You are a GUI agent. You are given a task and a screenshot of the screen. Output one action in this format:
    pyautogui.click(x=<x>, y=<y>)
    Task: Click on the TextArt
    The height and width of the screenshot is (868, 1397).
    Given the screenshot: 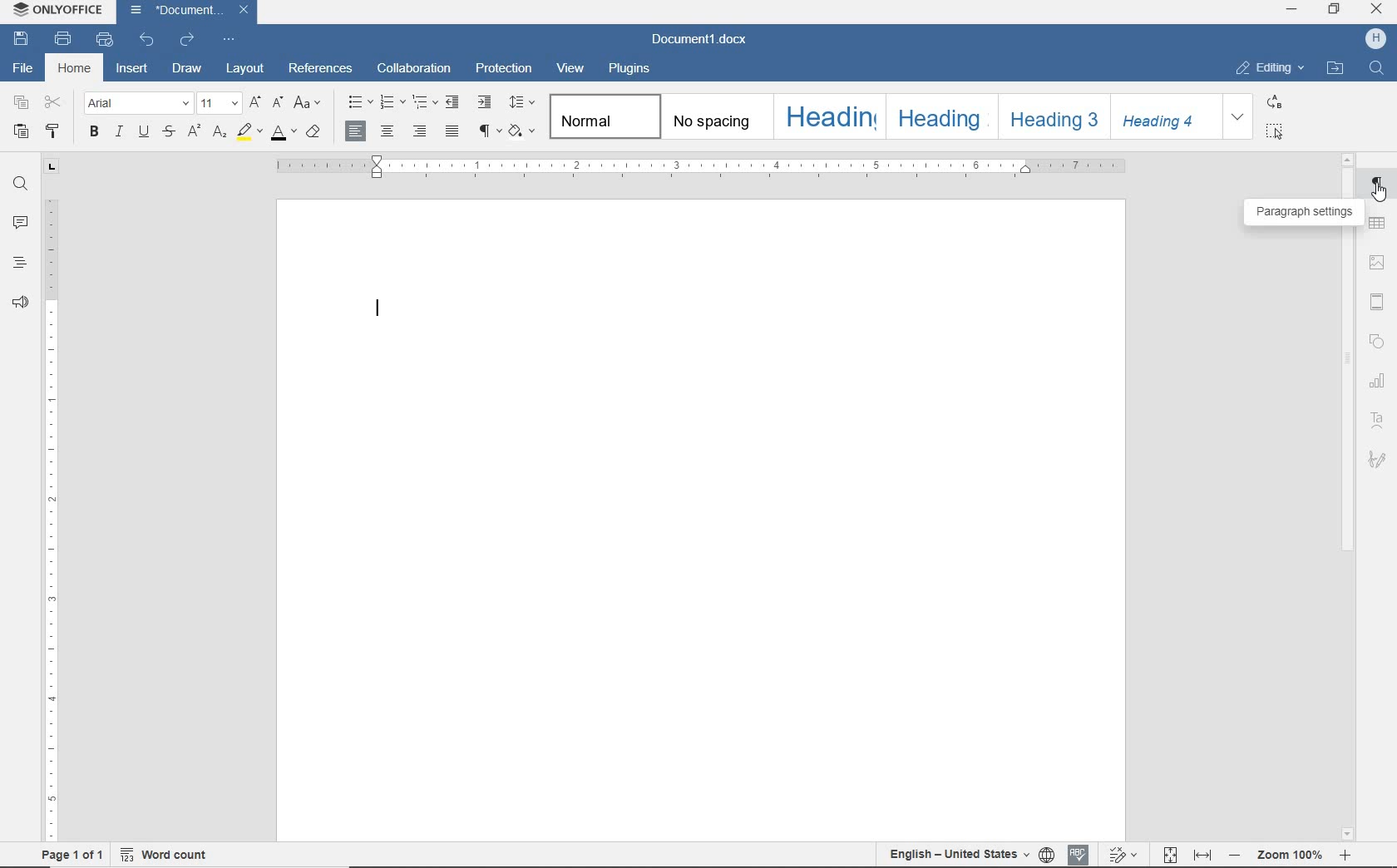 What is the action you would take?
    pyautogui.click(x=1380, y=418)
    